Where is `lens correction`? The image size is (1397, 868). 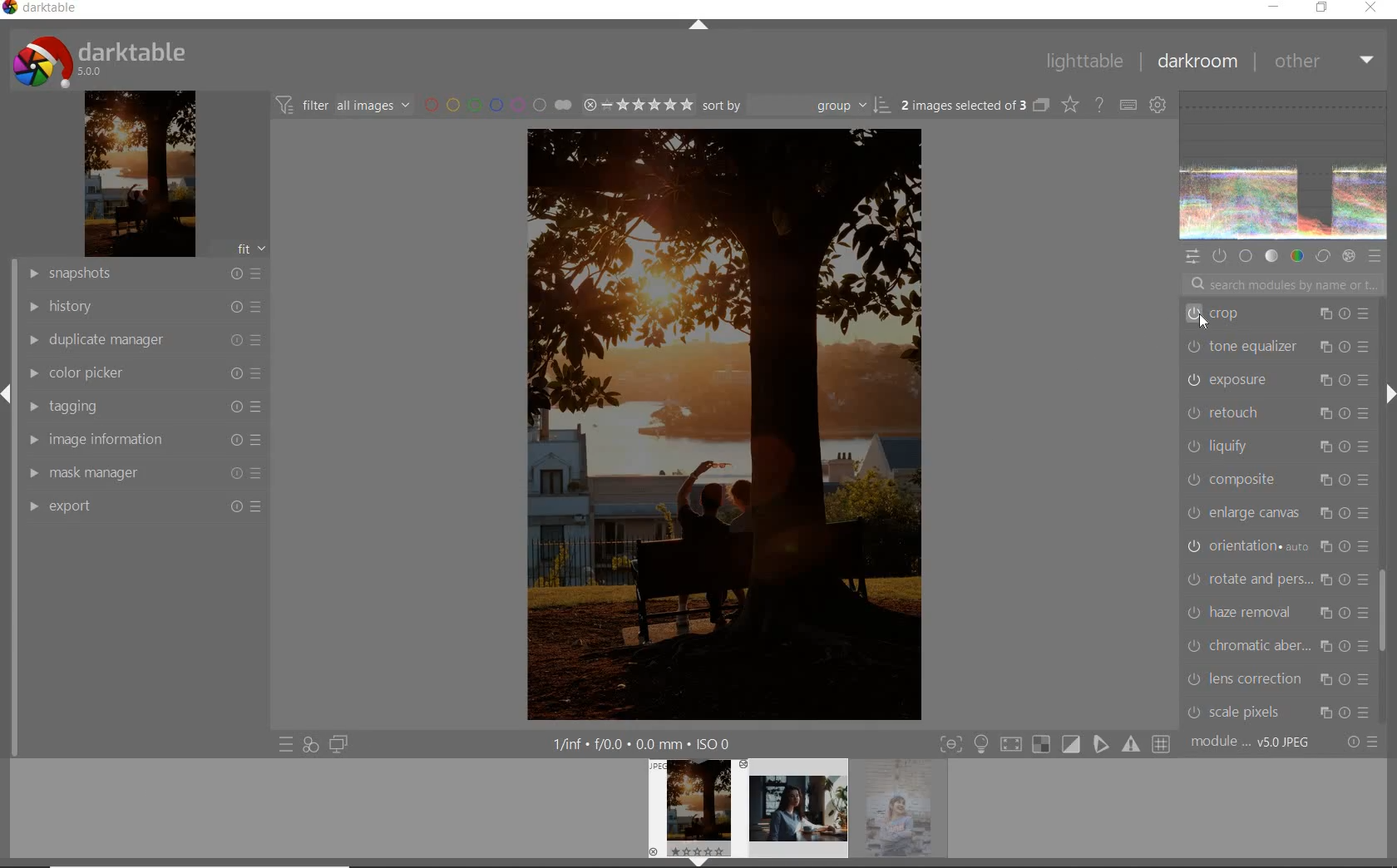
lens correction is located at coordinates (1281, 679).